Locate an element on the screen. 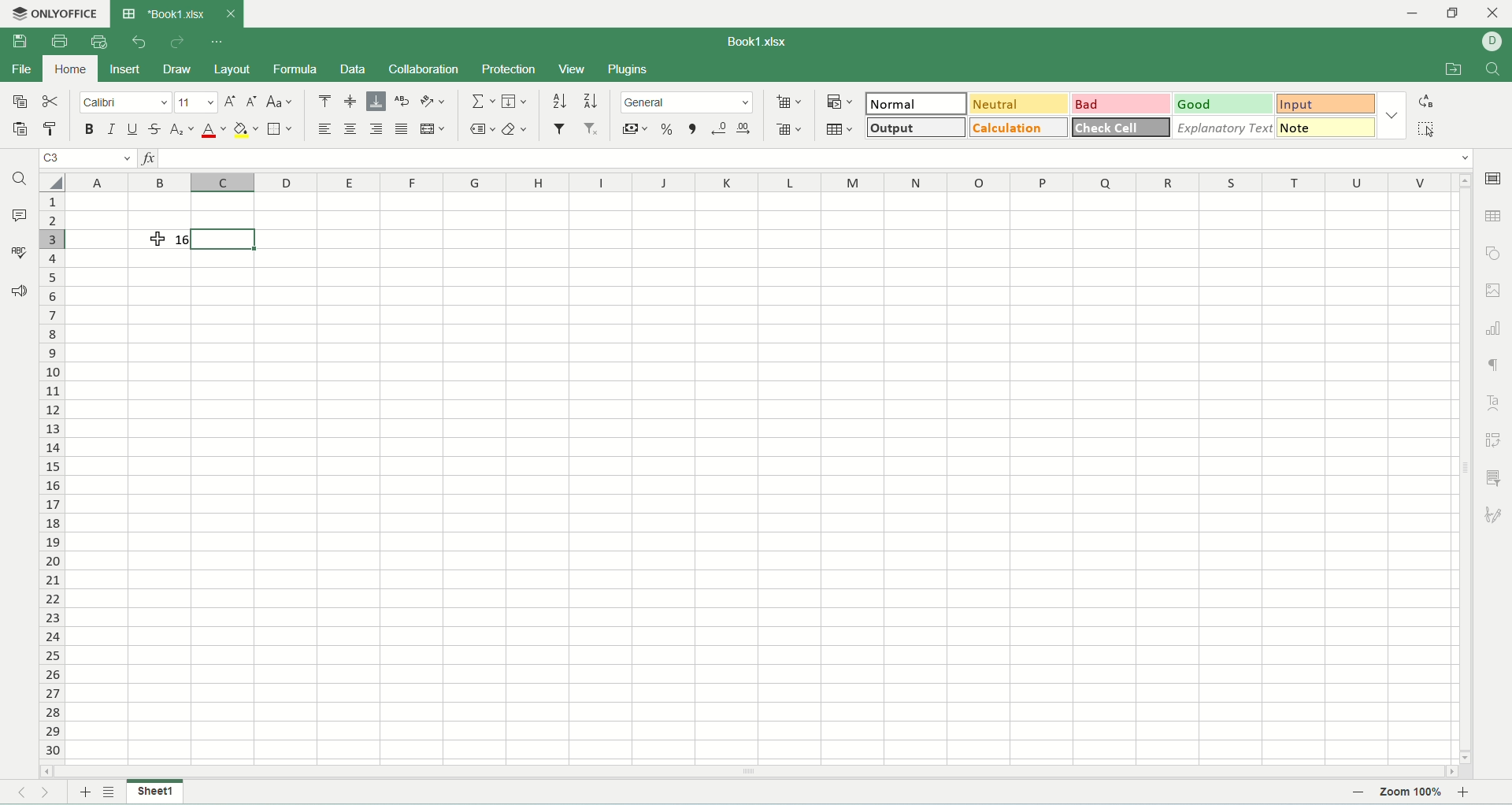 The image size is (1512, 805). cell style is located at coordinates (1392, 115).